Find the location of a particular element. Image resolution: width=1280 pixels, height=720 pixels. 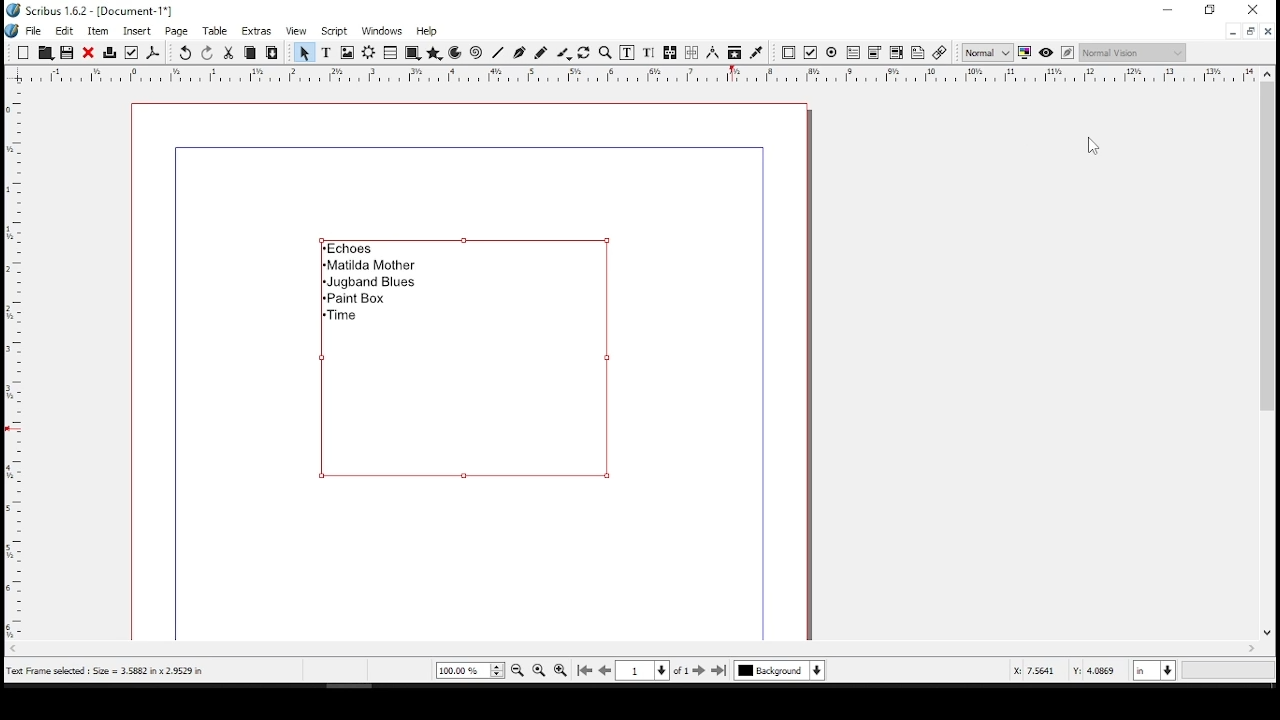

image frame is located at coordinates (347, 53).